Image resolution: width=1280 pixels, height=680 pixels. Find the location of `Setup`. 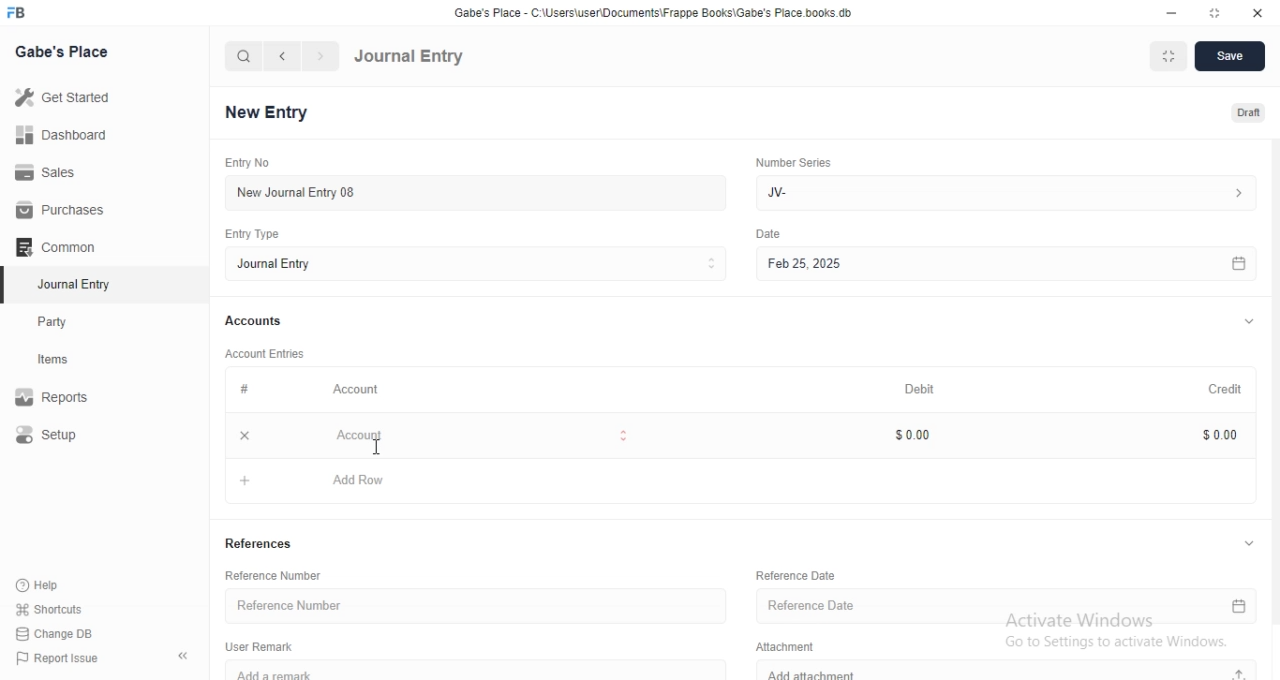

Setup is located at coordinates (68, 436).